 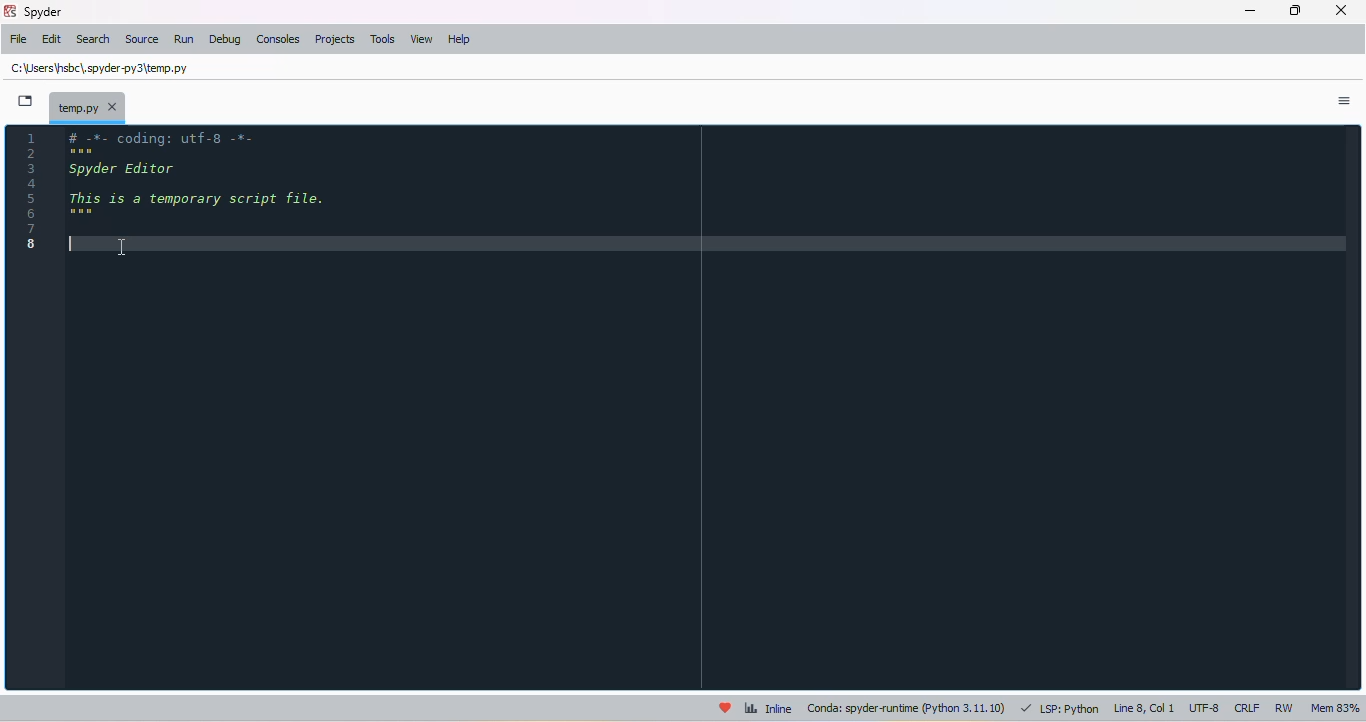 I want to click on temporary file, so click(x=88, y=106).